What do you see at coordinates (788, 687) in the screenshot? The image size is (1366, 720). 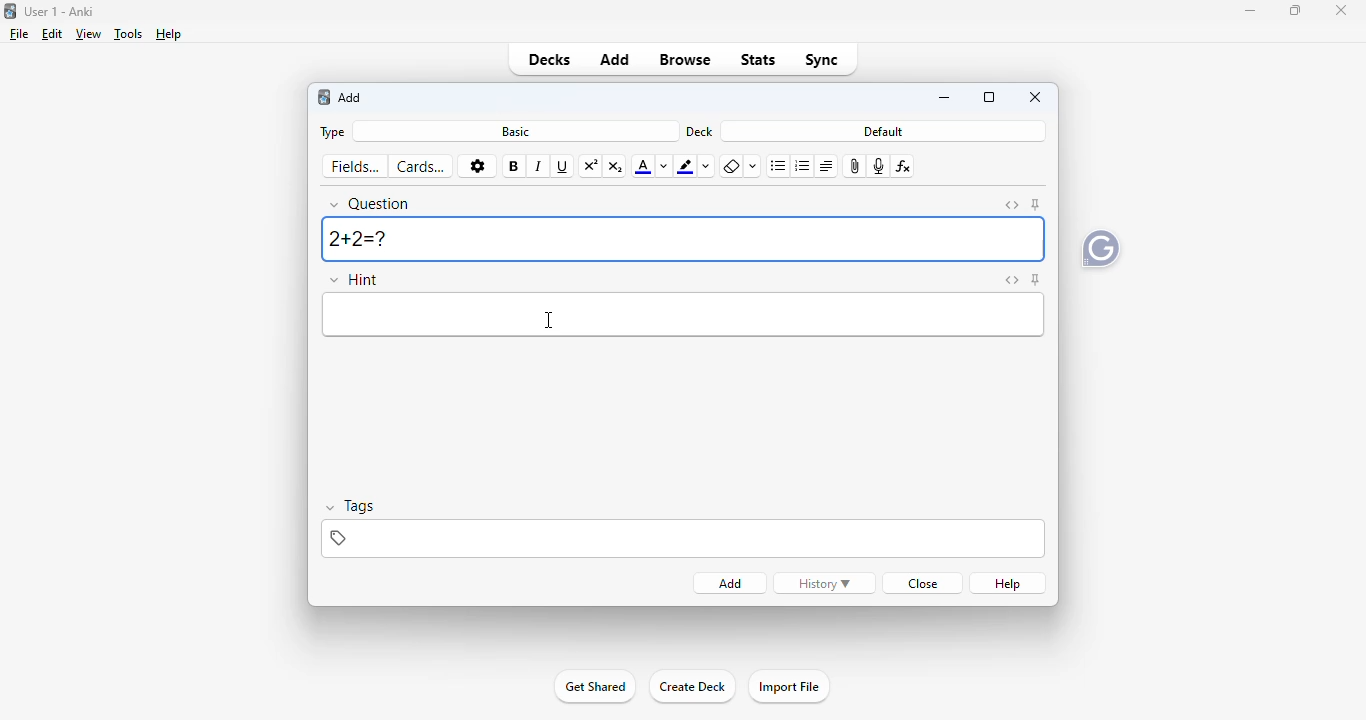 I see `import file` at bounding box center [788, 687].